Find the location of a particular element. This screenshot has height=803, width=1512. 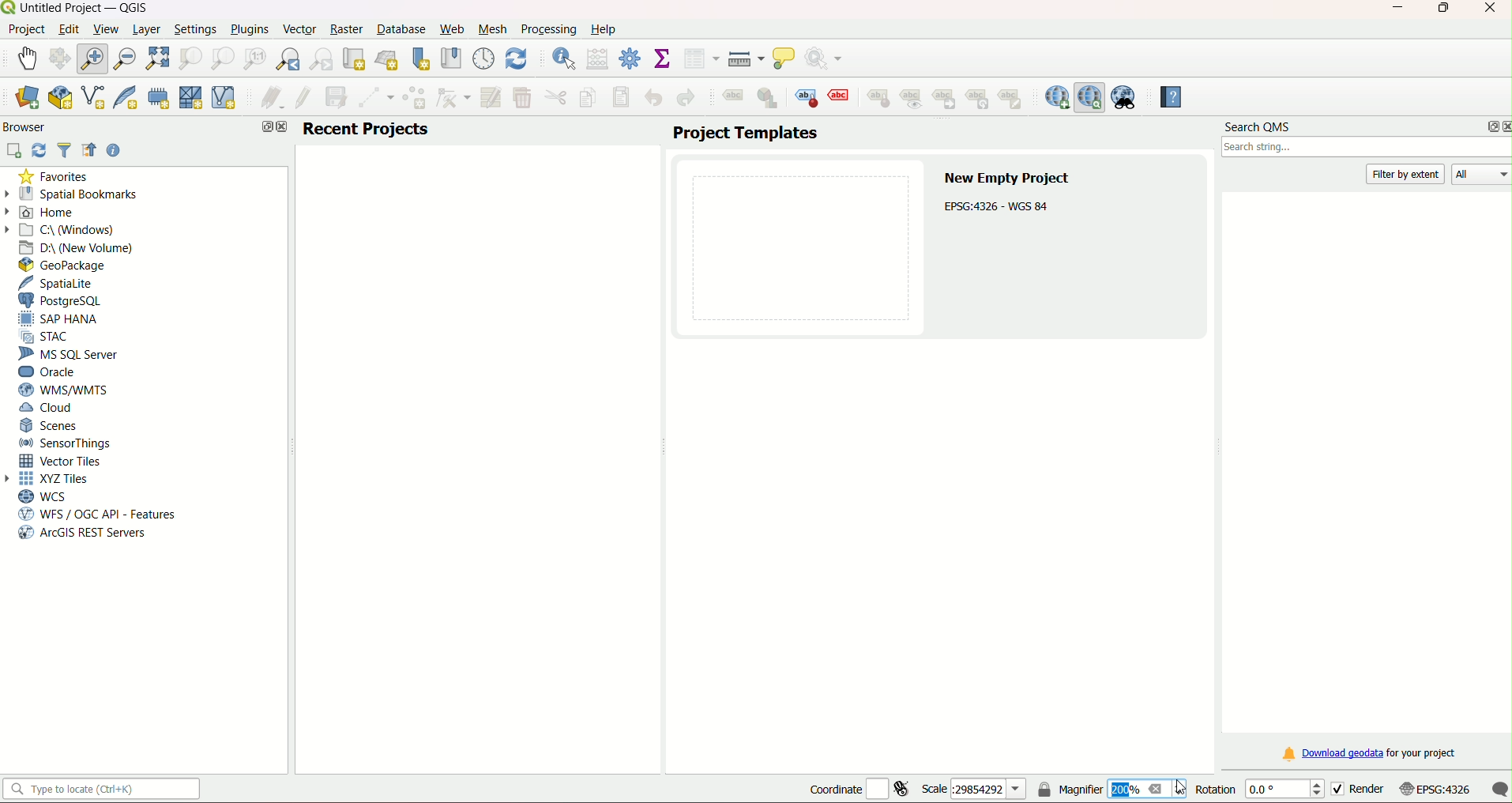

WFS/OGC API-Features is located at coordinates (97, 515).